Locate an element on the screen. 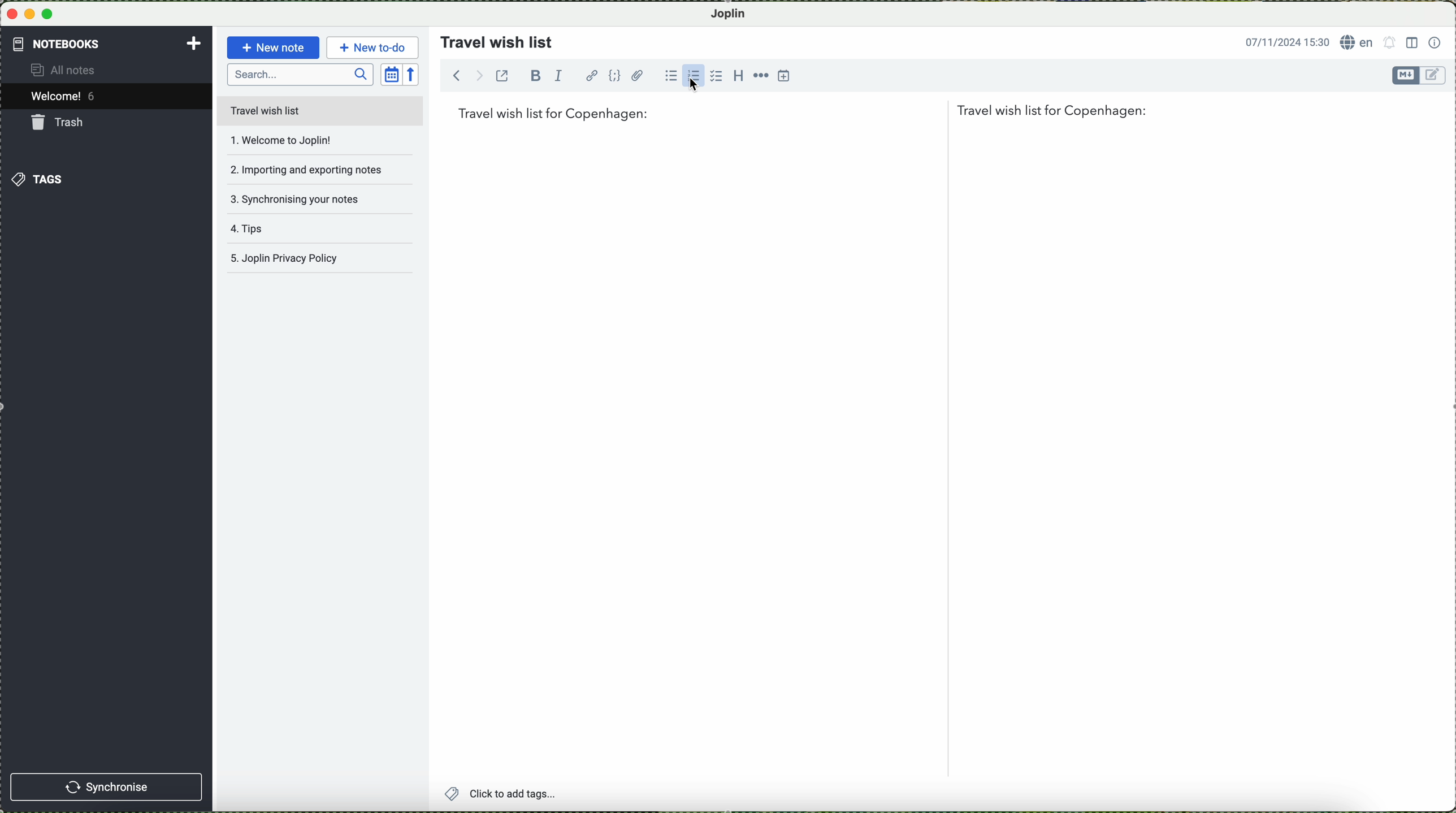  close is located at coordinates (11, 15).